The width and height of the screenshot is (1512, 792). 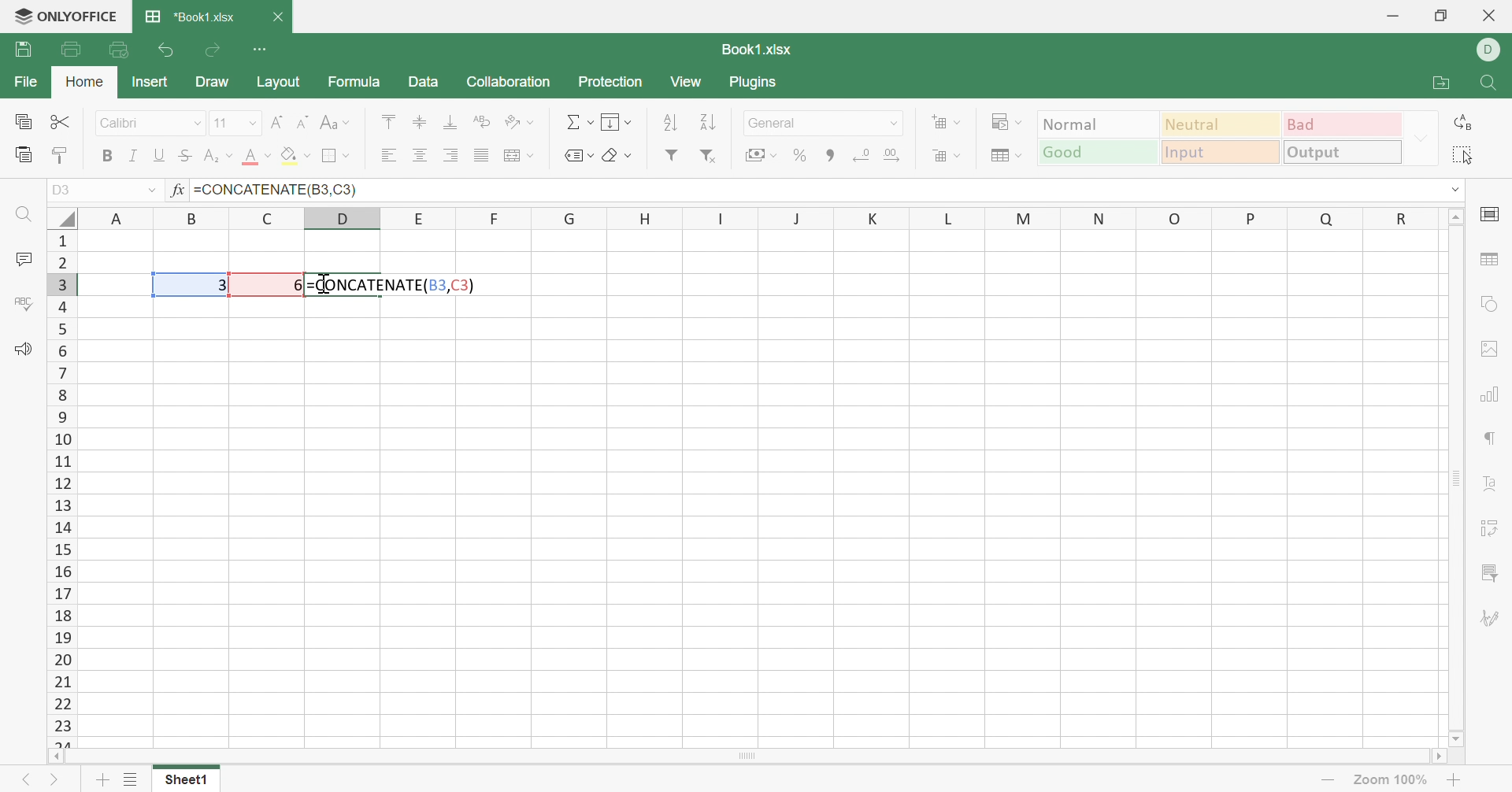 What do you see at coordinates (277, 17) in the screenshot?
I see `Close` at bounding box center [277, 17].